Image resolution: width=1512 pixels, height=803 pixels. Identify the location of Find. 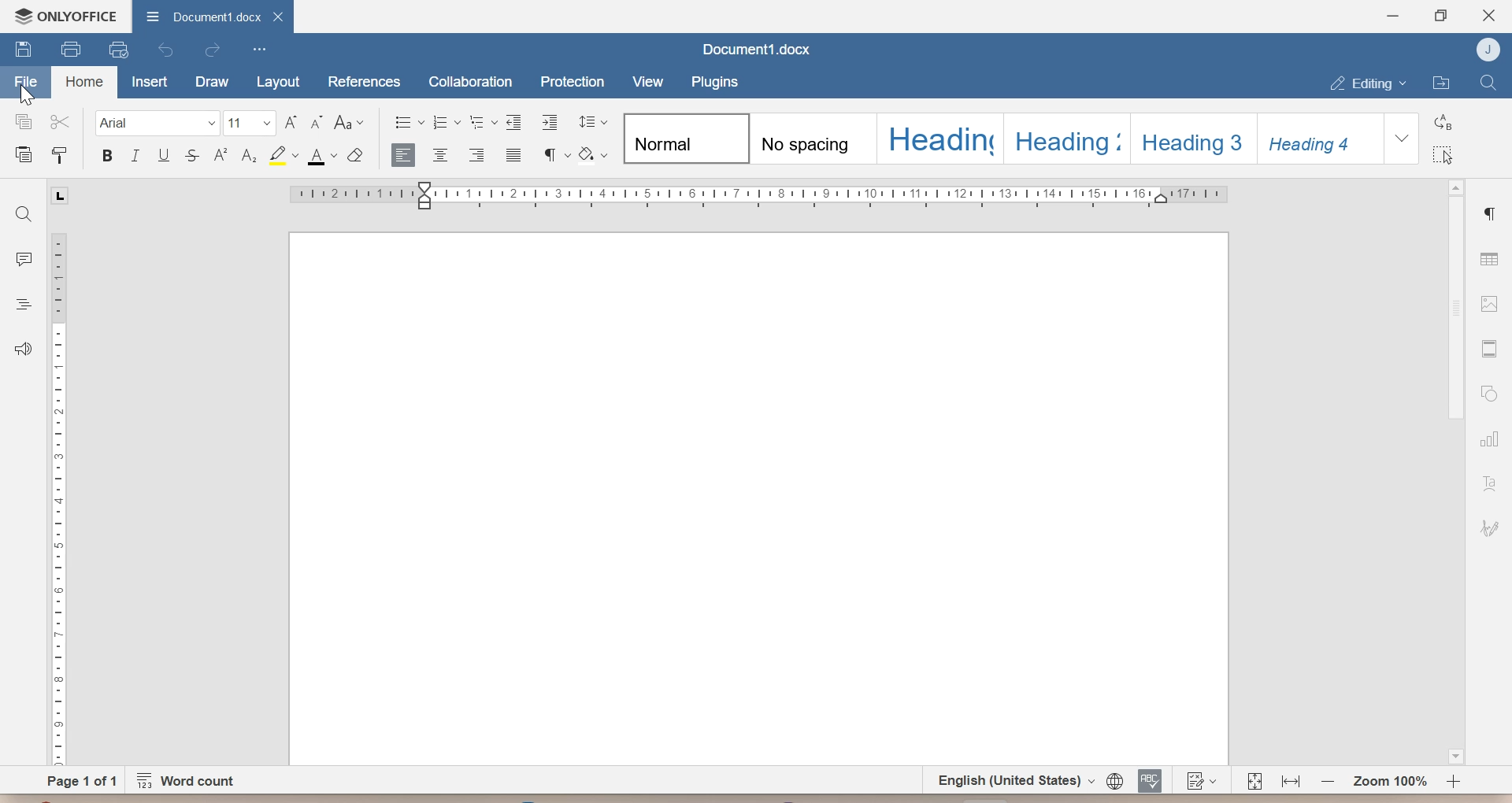
(26, 213).